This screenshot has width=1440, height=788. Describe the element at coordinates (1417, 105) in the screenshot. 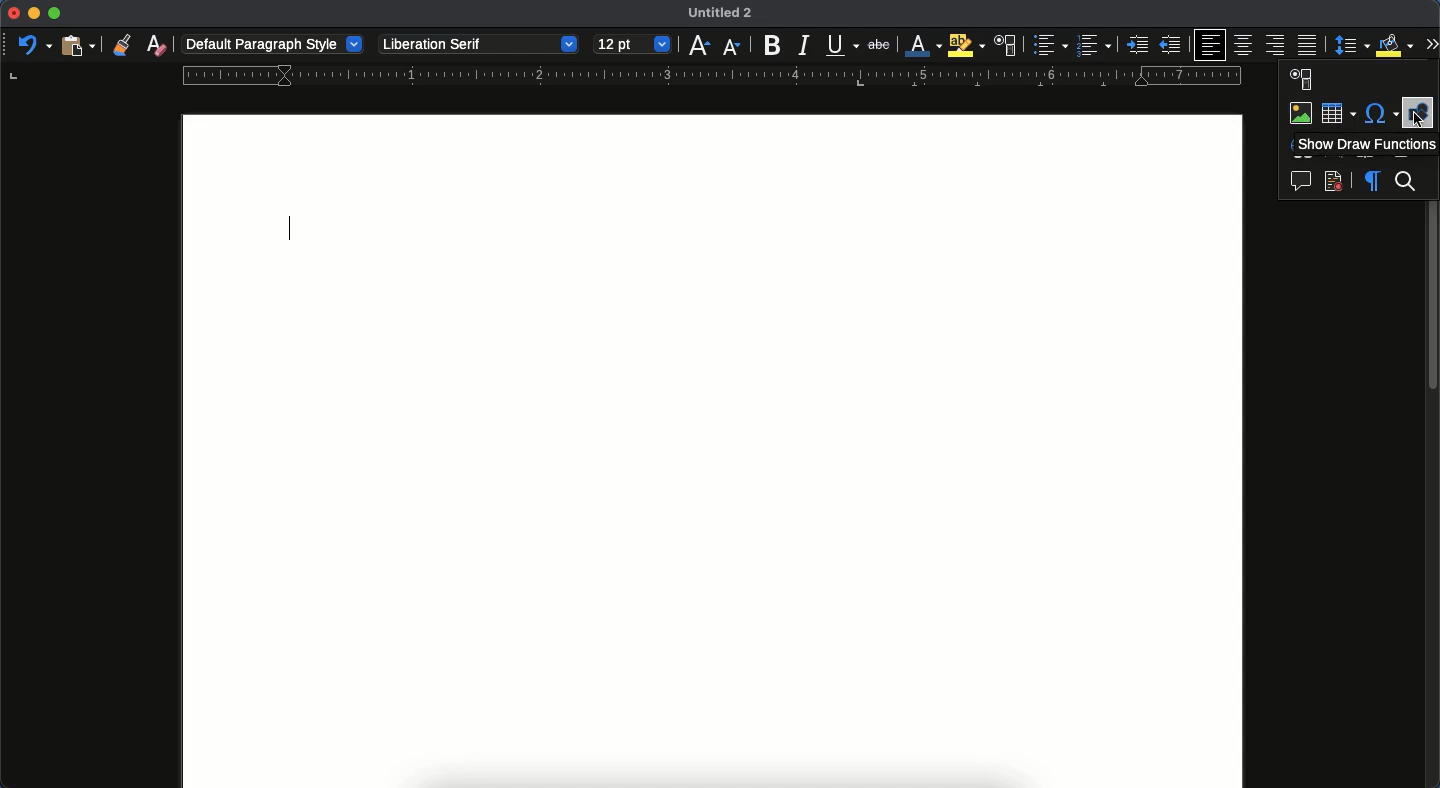

I see `shapes` at that location.